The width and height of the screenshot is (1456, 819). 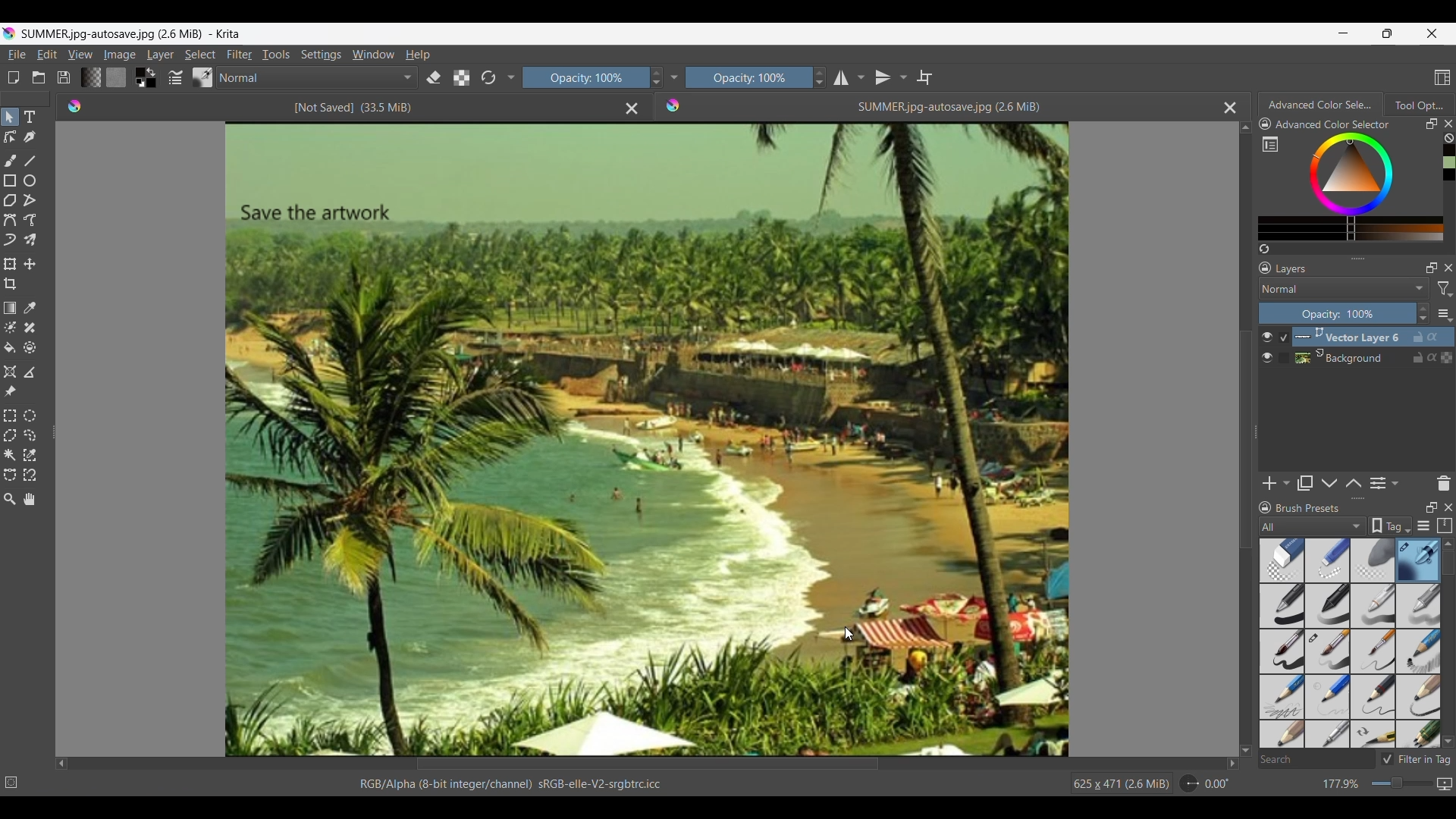 What do you see at coordinates (1344, 33) in the screenshot?
I see `Minimize` at bounding box center [1344, 33].